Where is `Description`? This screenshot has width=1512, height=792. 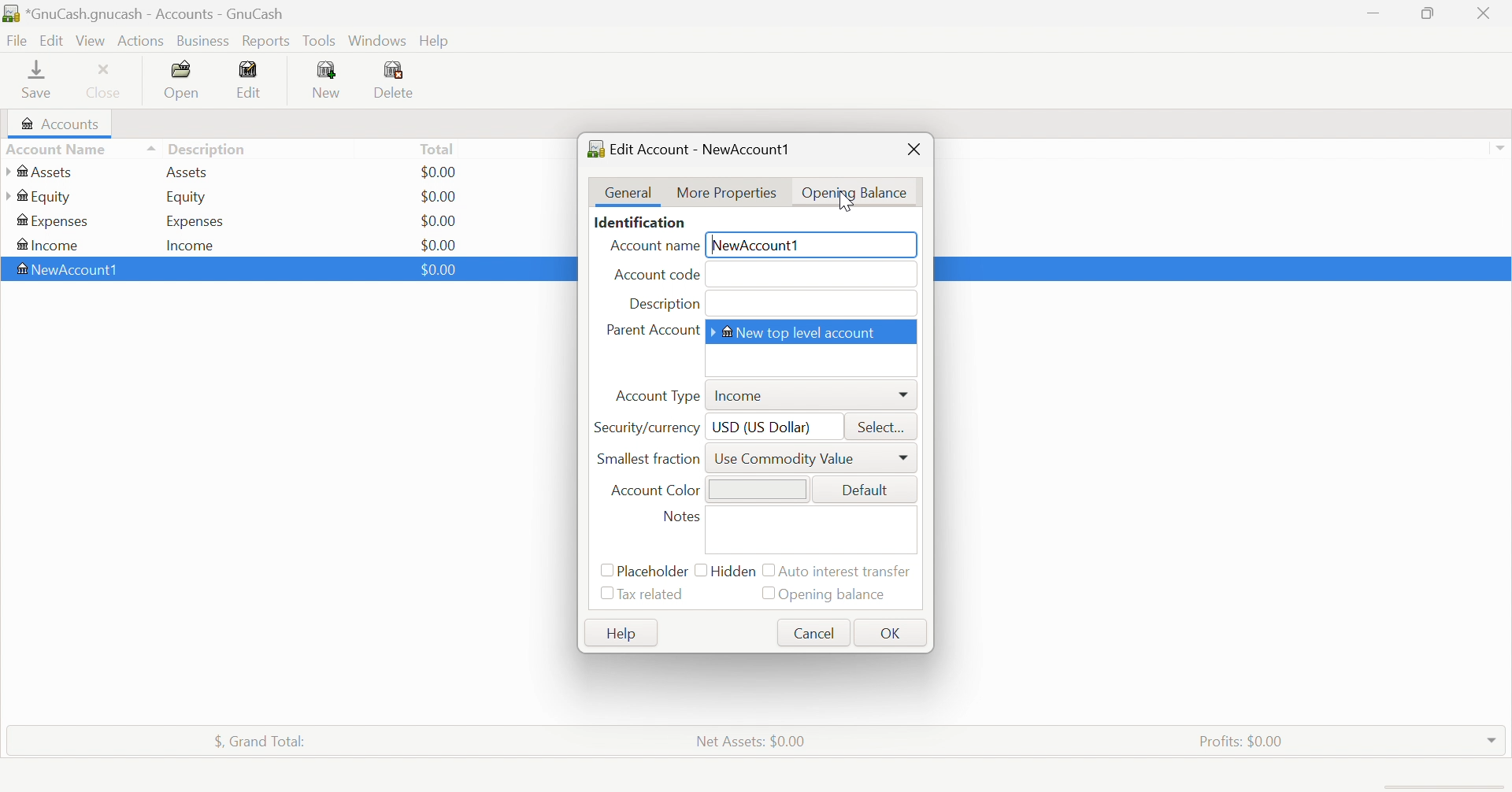
Description is located at coordinates (207, 147).